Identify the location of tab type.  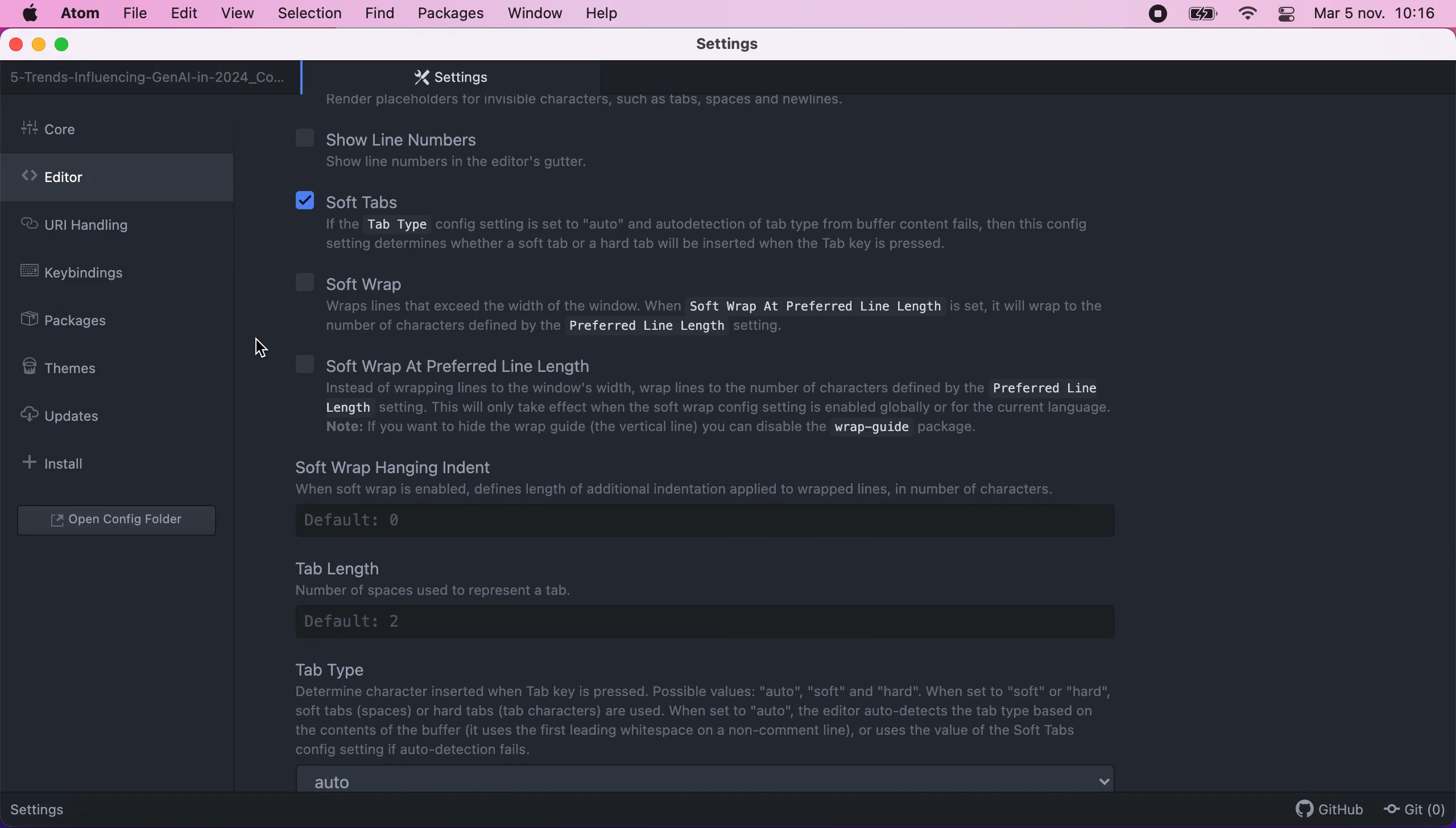
(710, 708).